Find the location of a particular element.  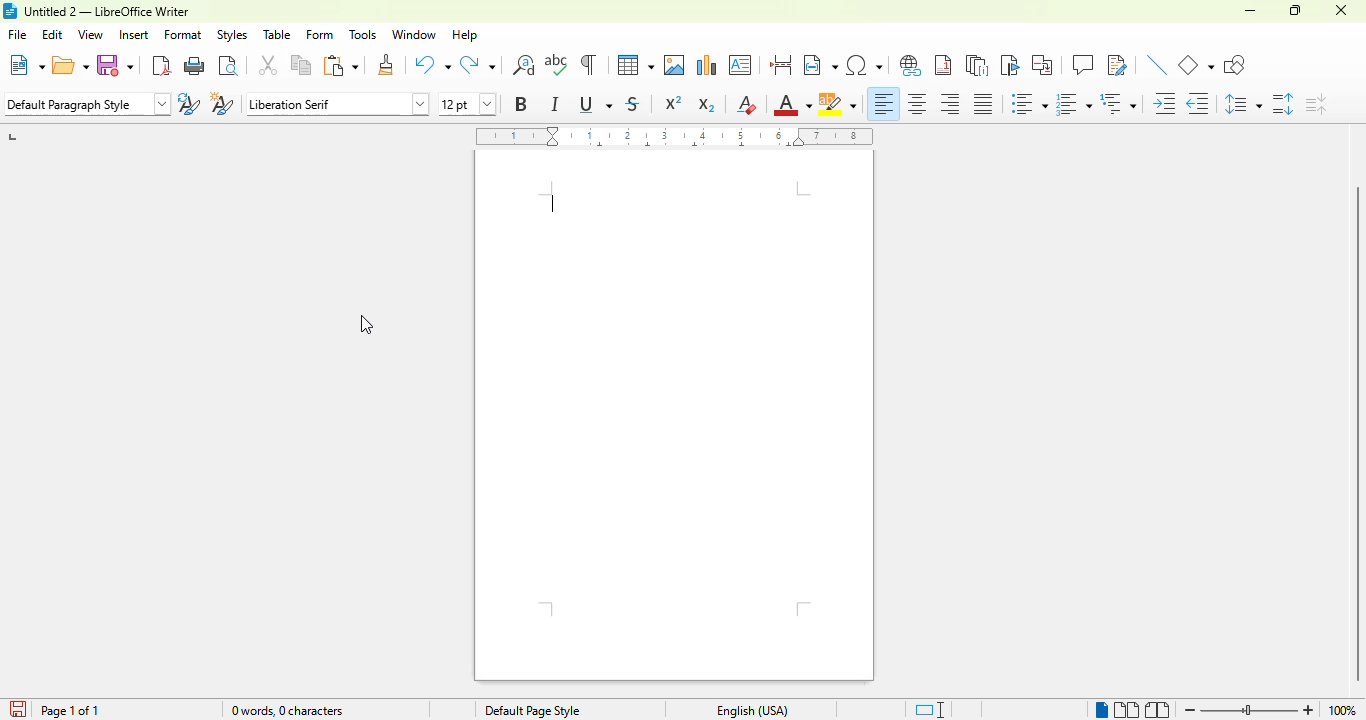

decrease indent is located at coordinates (1200, 104).